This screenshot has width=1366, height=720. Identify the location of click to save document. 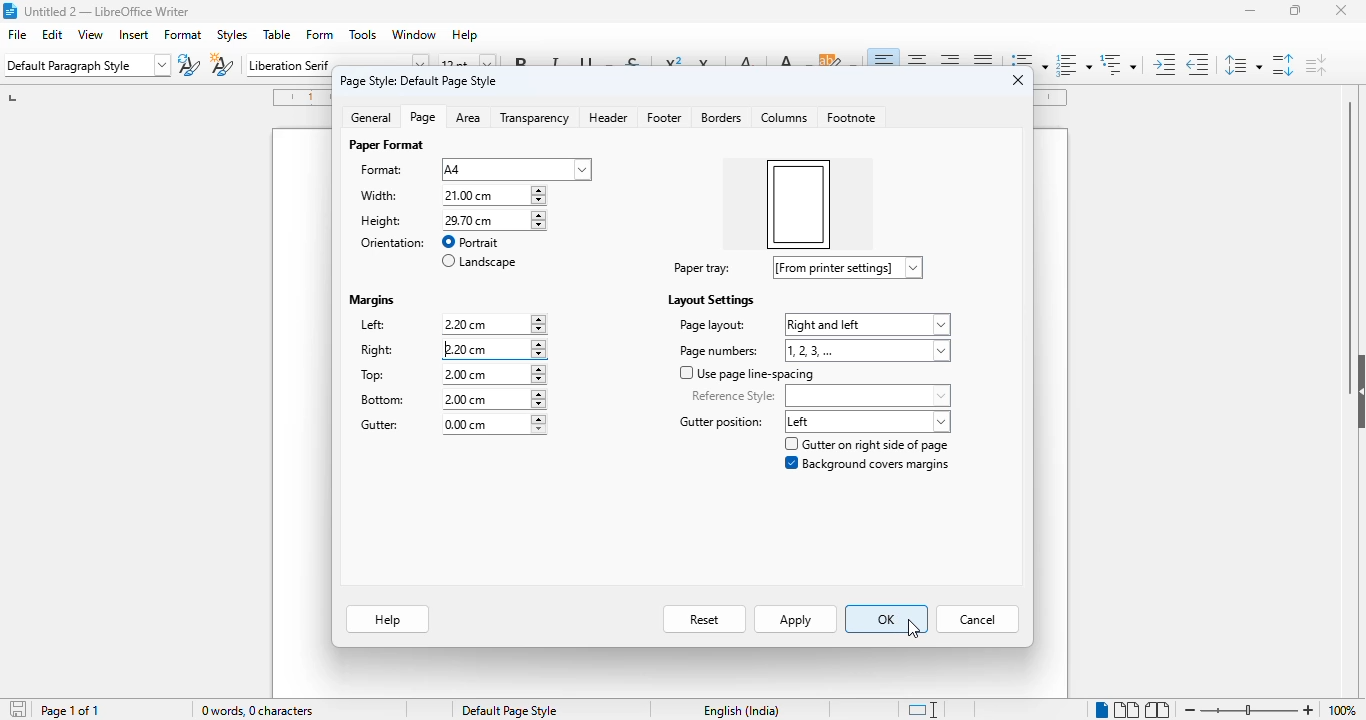
(17, 709).